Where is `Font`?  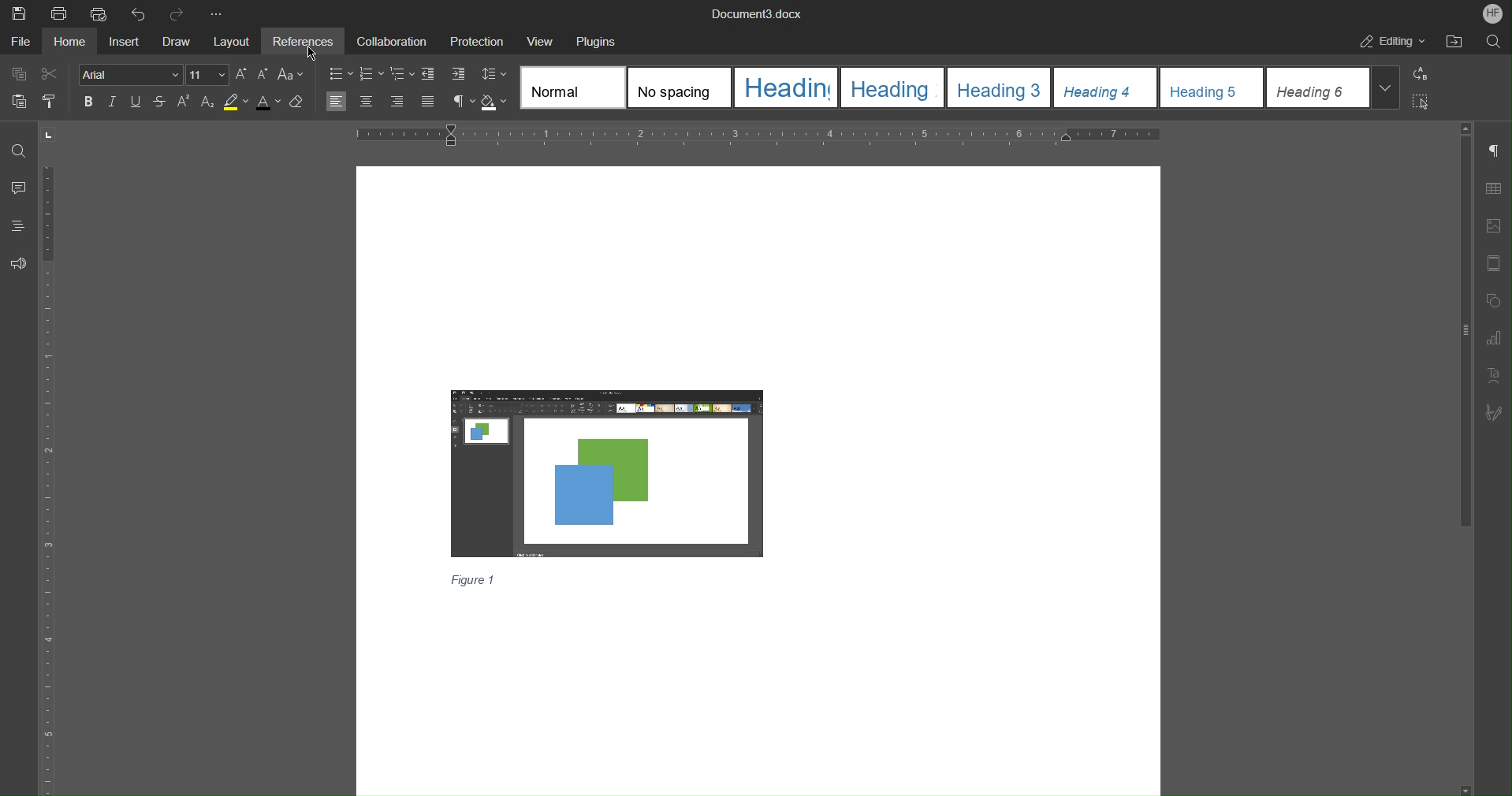 Font is located at coordinates (132, 75).